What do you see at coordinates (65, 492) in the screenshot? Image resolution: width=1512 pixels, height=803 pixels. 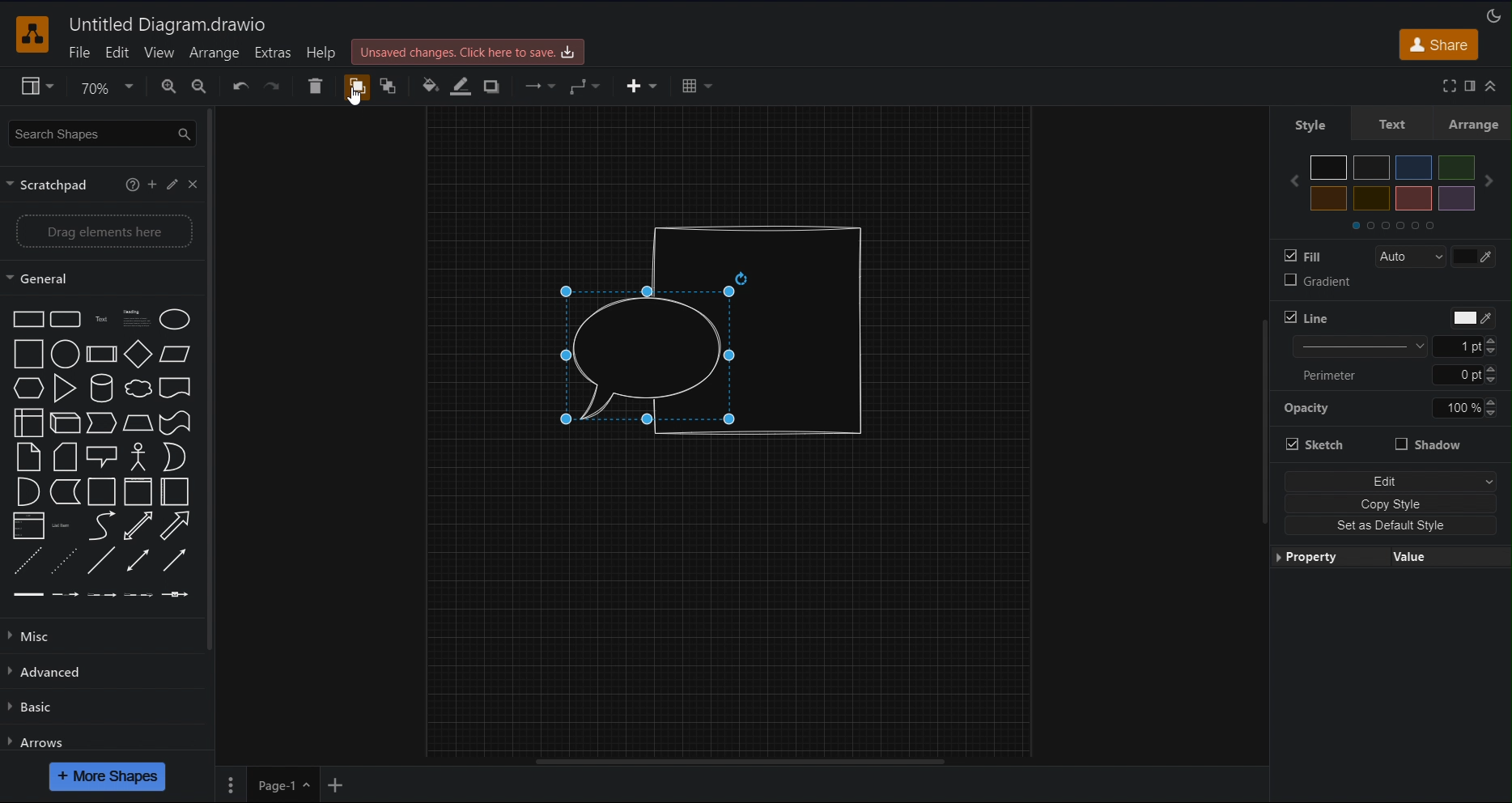 I see `Data storage` at bounding box center [65, 492].